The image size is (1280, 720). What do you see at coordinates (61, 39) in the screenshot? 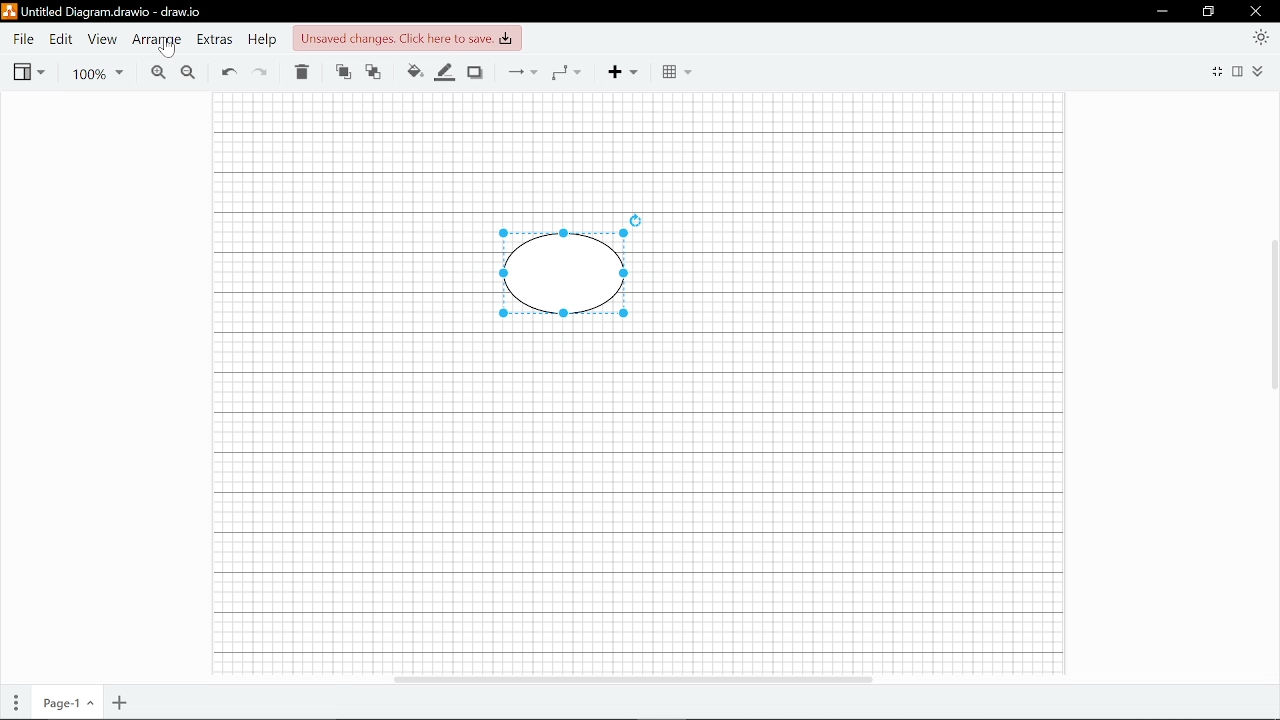
I see `Edit` at bounding box center [61, 39].